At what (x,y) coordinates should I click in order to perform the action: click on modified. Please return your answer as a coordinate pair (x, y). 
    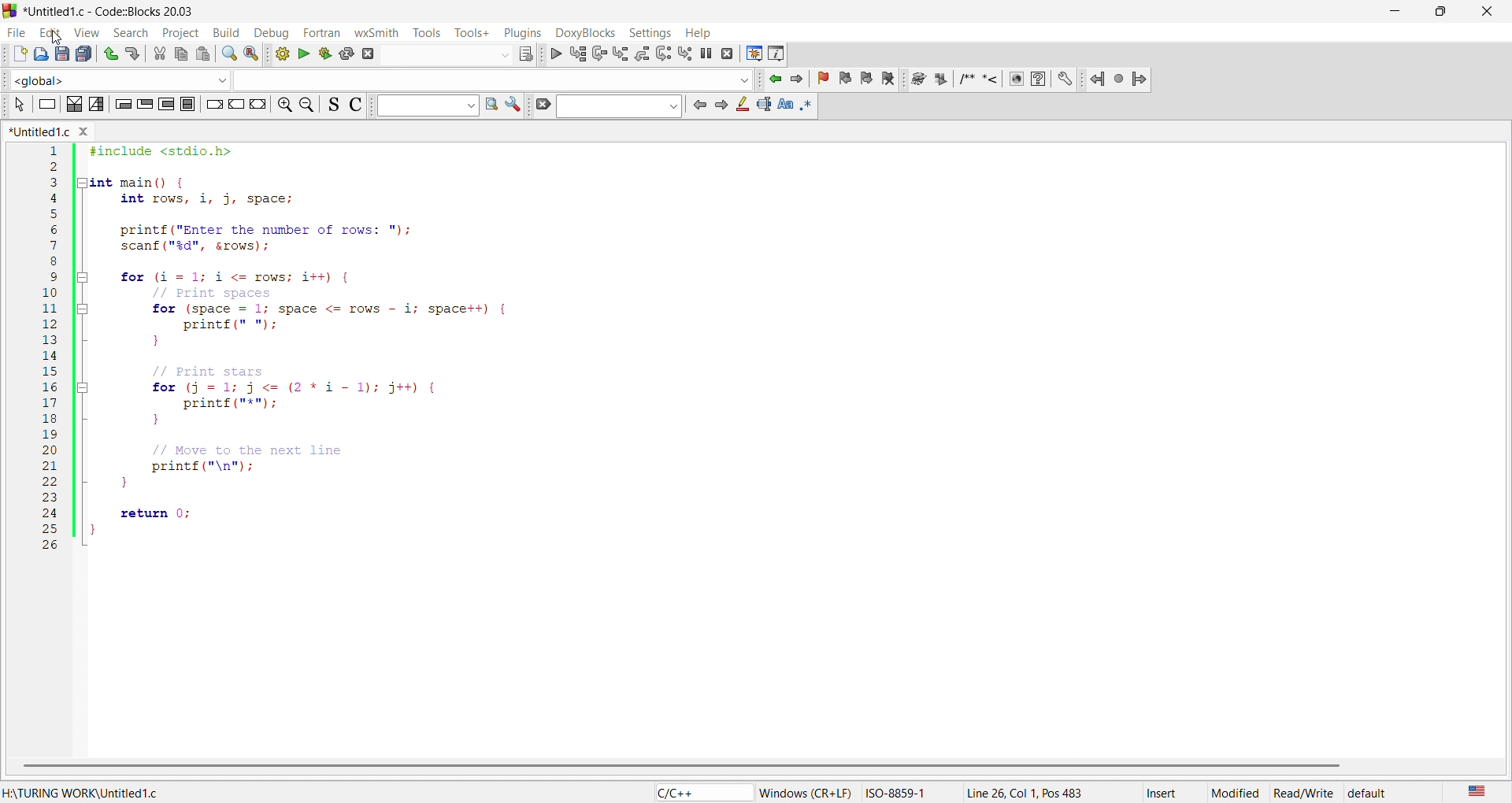
    Looking at the image, I should click on (1236, 791).